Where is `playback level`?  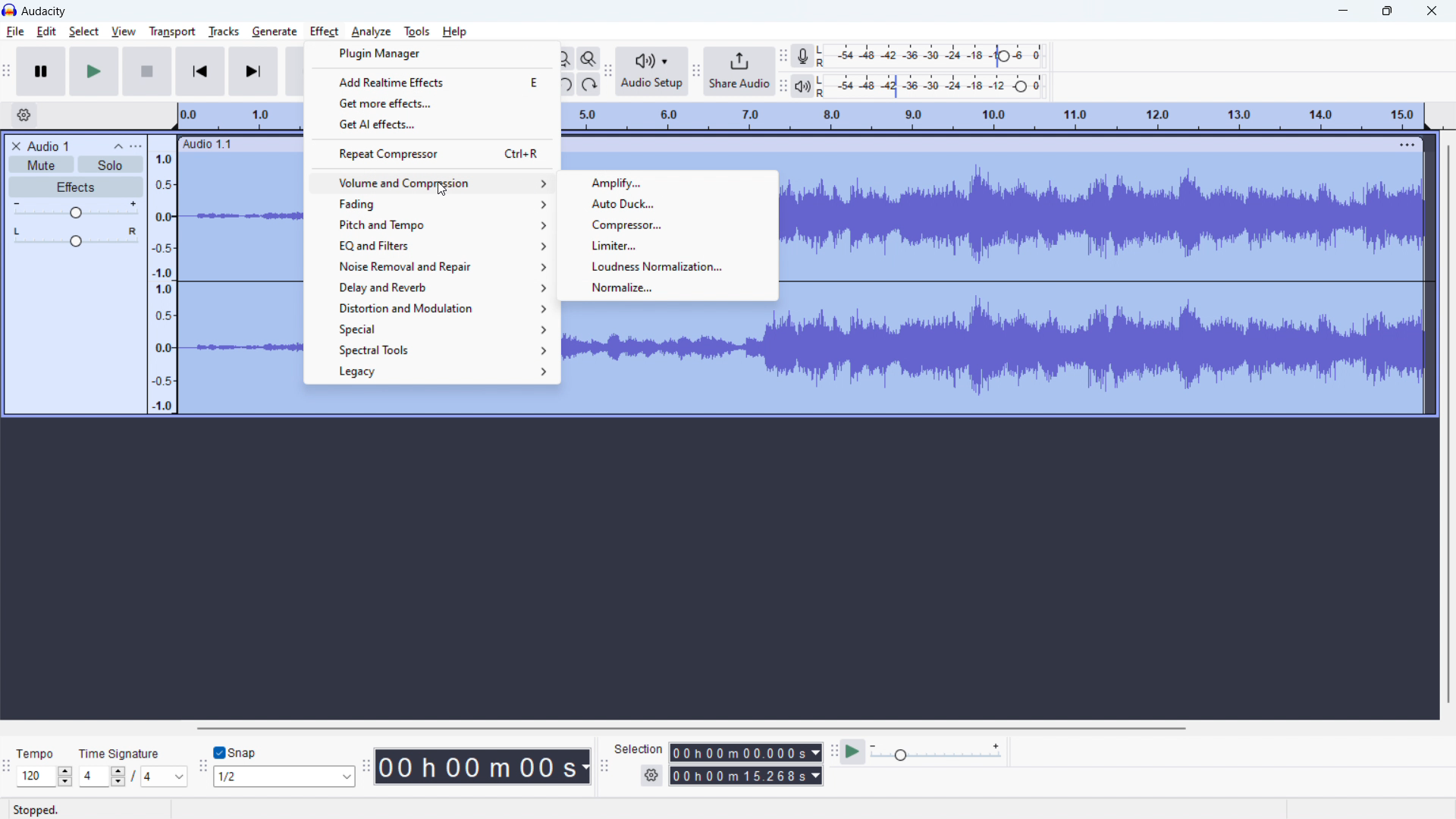
playback level is located at coordinates (940, 87).